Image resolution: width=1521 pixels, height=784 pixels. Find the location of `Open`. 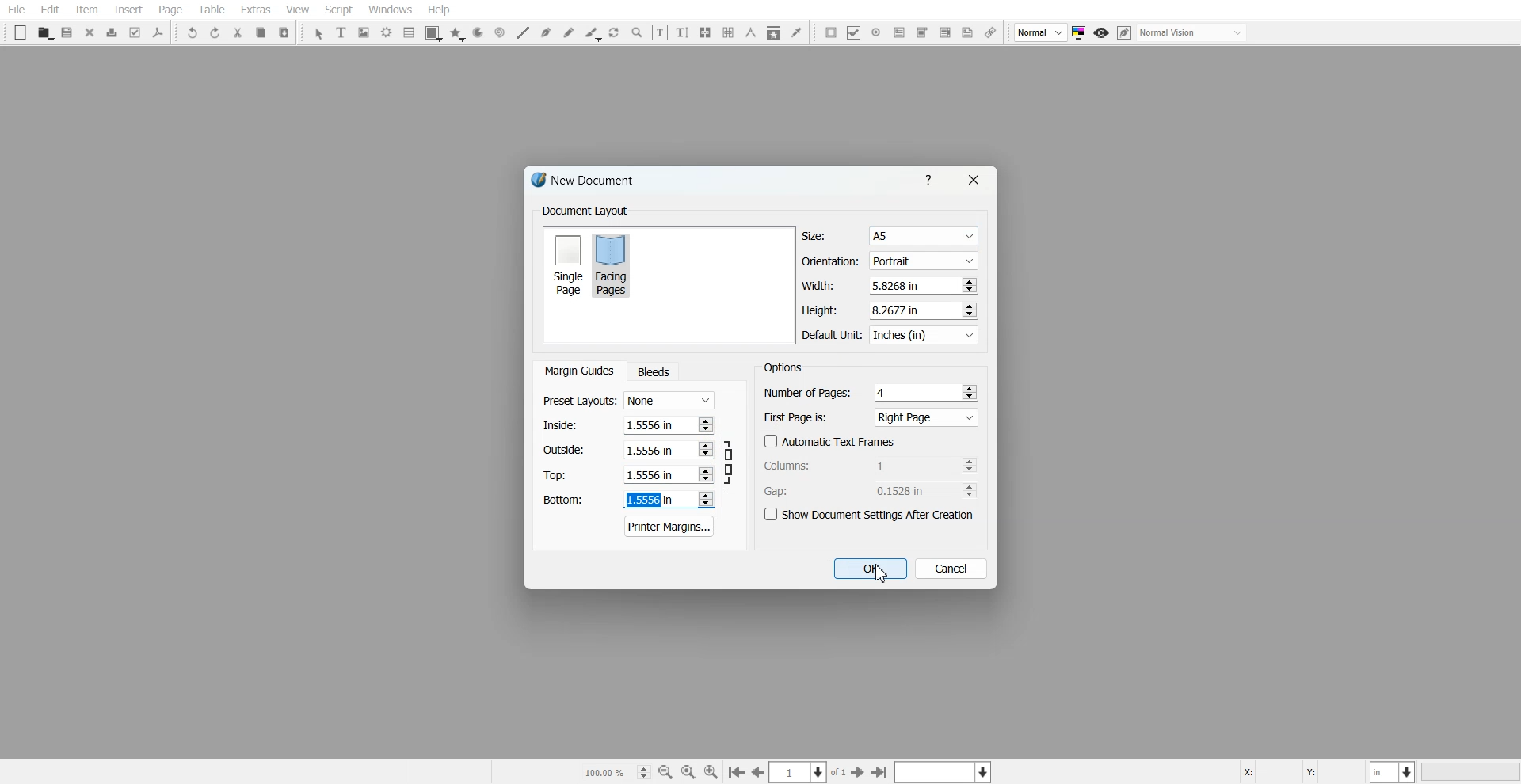

Open is located at coordinates (44, 33).